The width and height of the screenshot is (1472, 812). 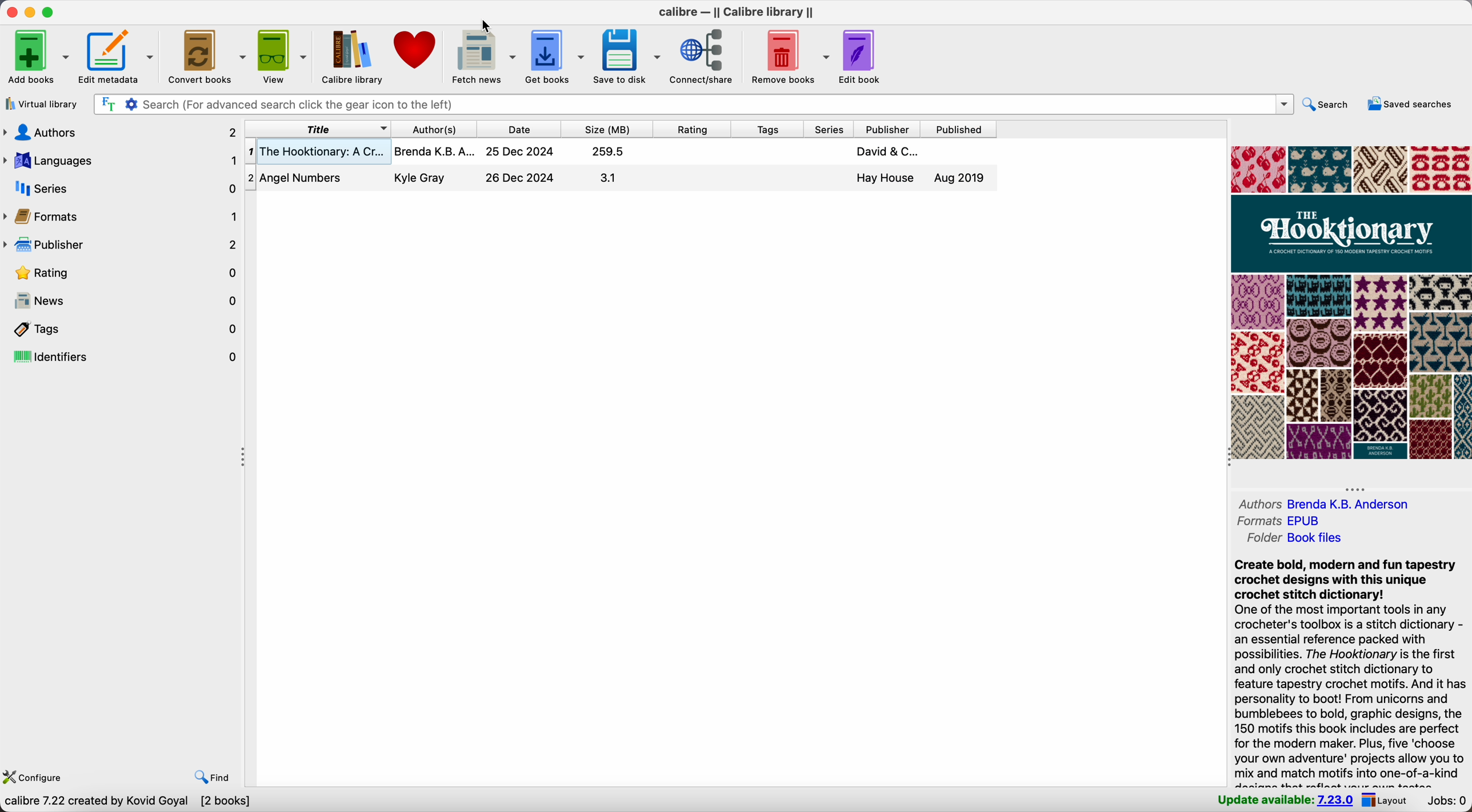 What do you see at coordinates (1445, 801) in the screenshot?
I see `jobs: 0` at bounding box center [1445, 801].